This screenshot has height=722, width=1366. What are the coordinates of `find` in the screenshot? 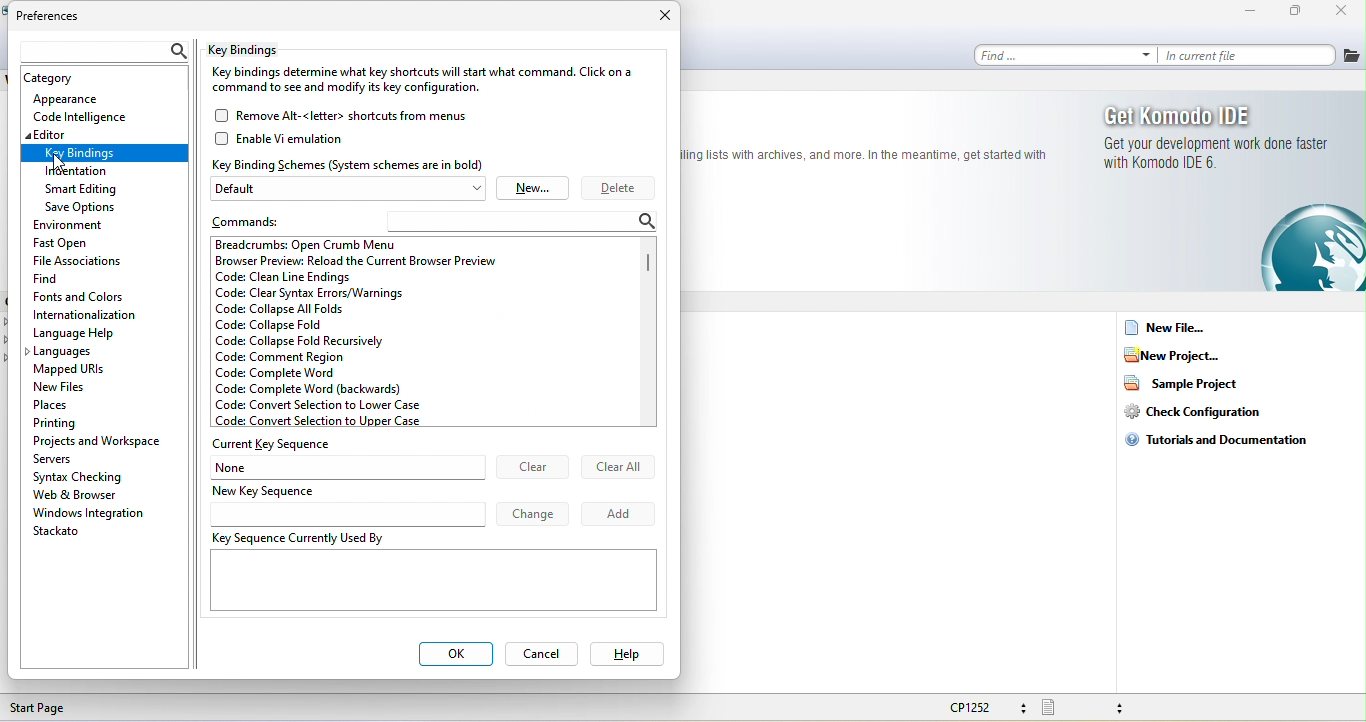 It's located at (48, 277).